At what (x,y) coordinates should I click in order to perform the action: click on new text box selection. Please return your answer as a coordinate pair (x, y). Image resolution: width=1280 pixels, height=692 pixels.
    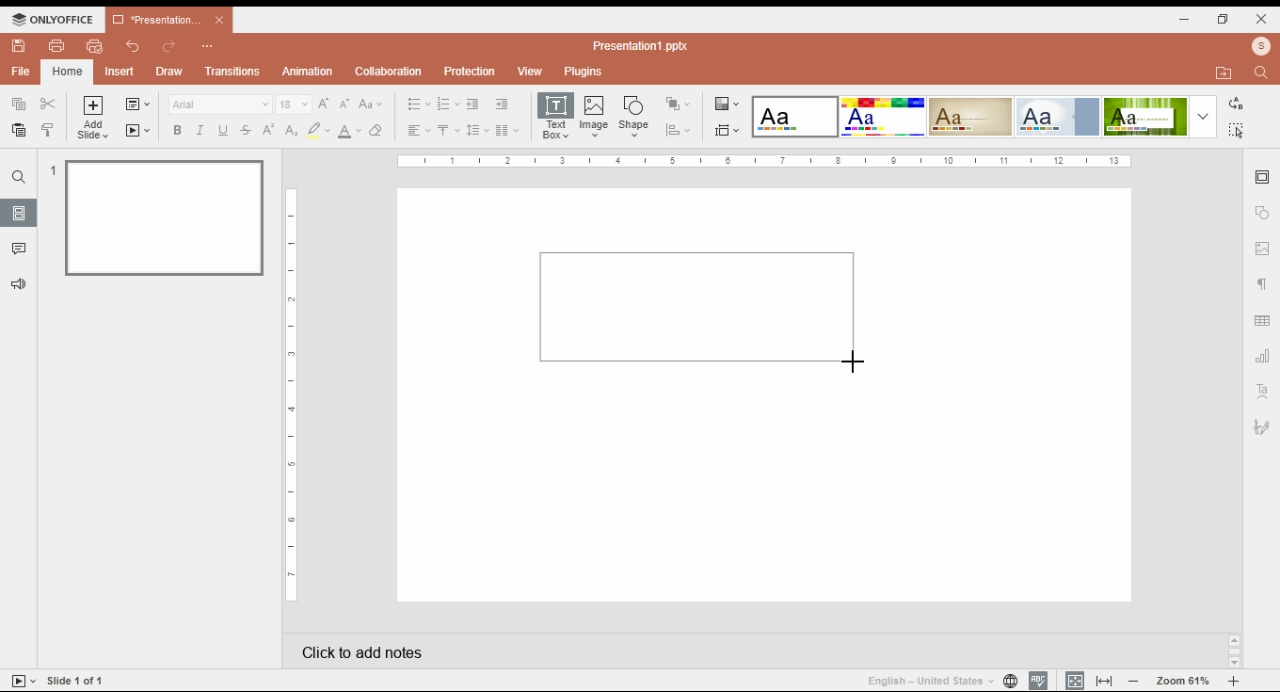
    Looking at the image, I should click on (694, 308).